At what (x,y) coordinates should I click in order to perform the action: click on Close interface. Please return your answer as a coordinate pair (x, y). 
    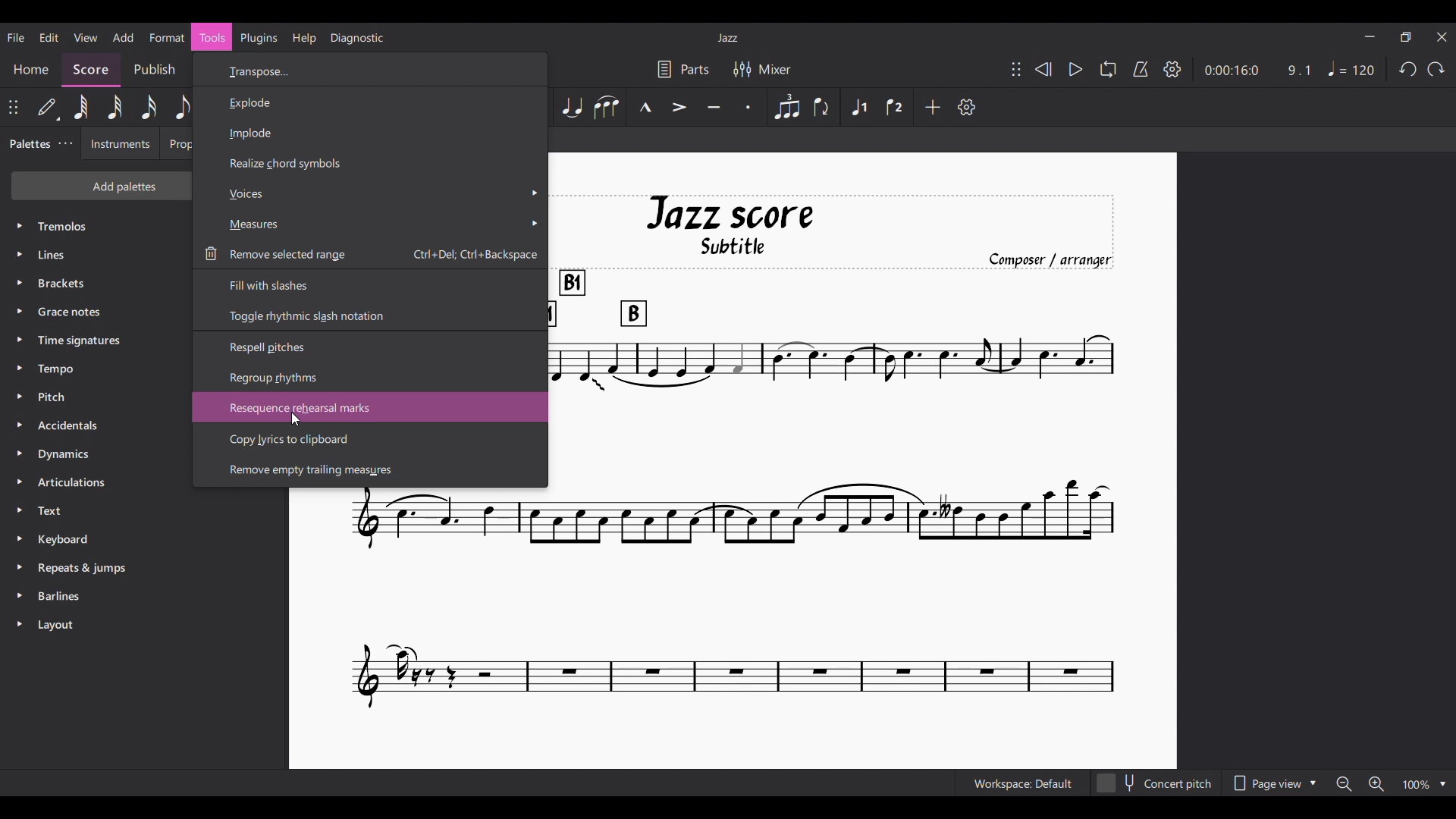
    Looking at the image, I should click on (1442, 36).